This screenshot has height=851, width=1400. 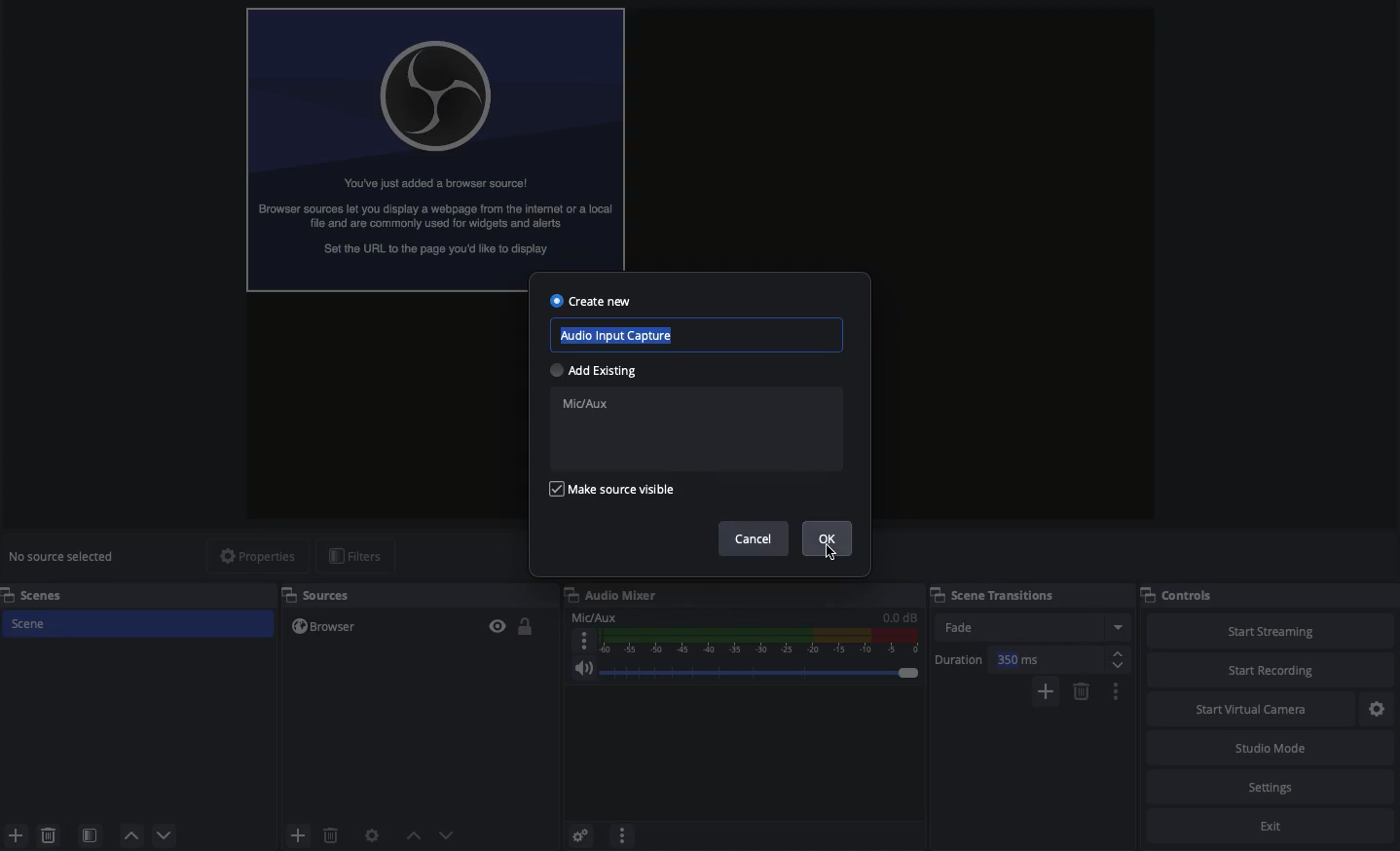 I want to click on Settings, so click(x=1378, y=710).